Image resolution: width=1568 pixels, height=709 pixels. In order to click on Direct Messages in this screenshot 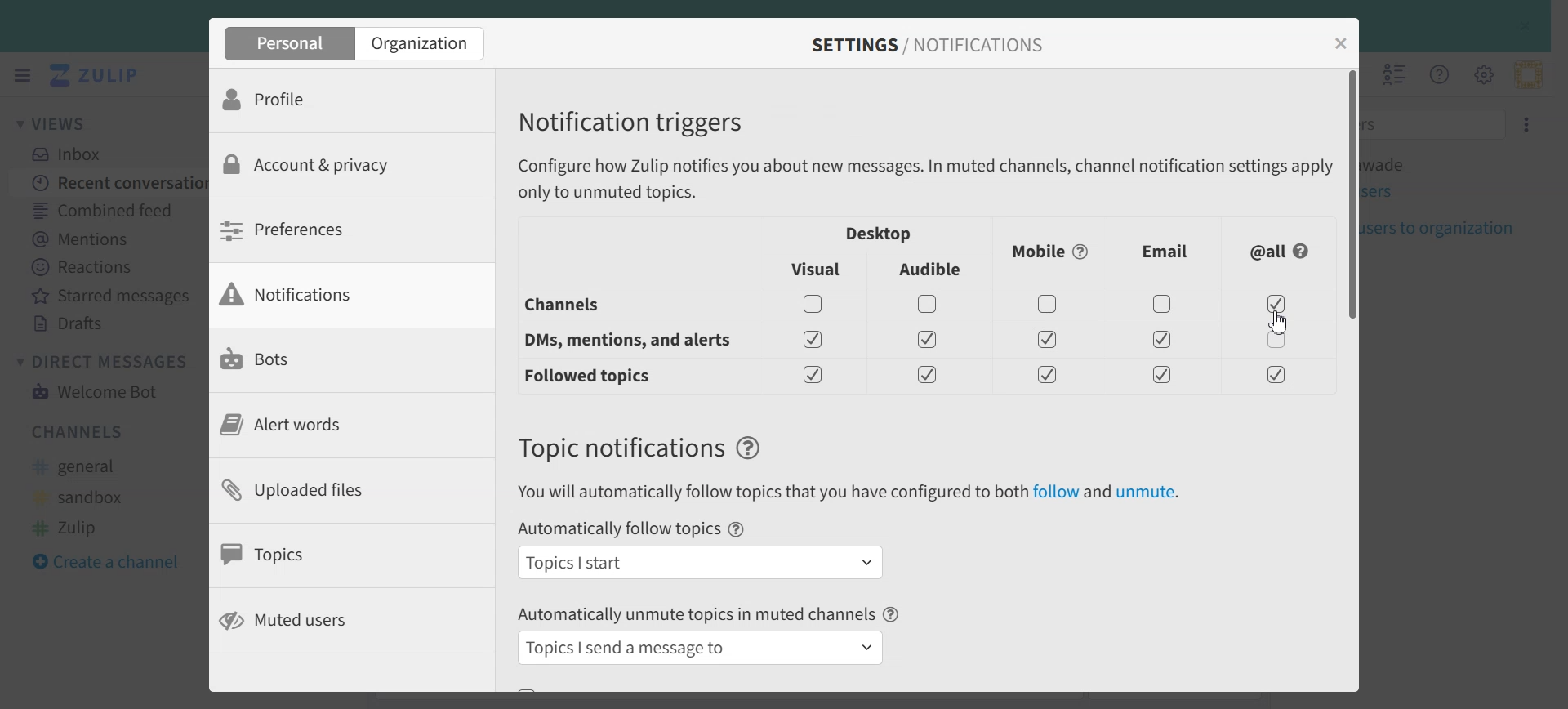, I will do `click(107, 361)`.